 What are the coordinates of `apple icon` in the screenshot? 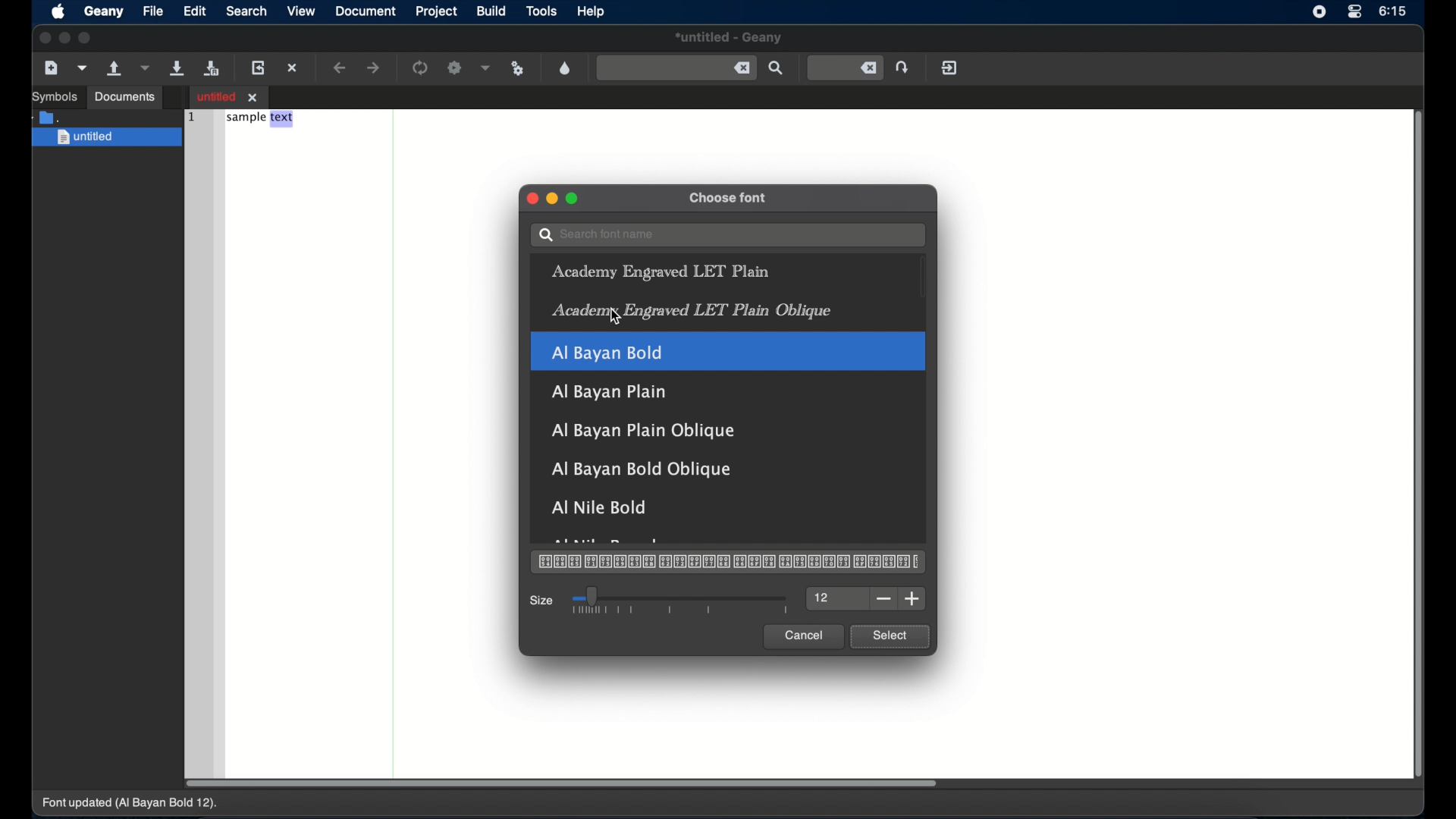 It's located at (58, 13).